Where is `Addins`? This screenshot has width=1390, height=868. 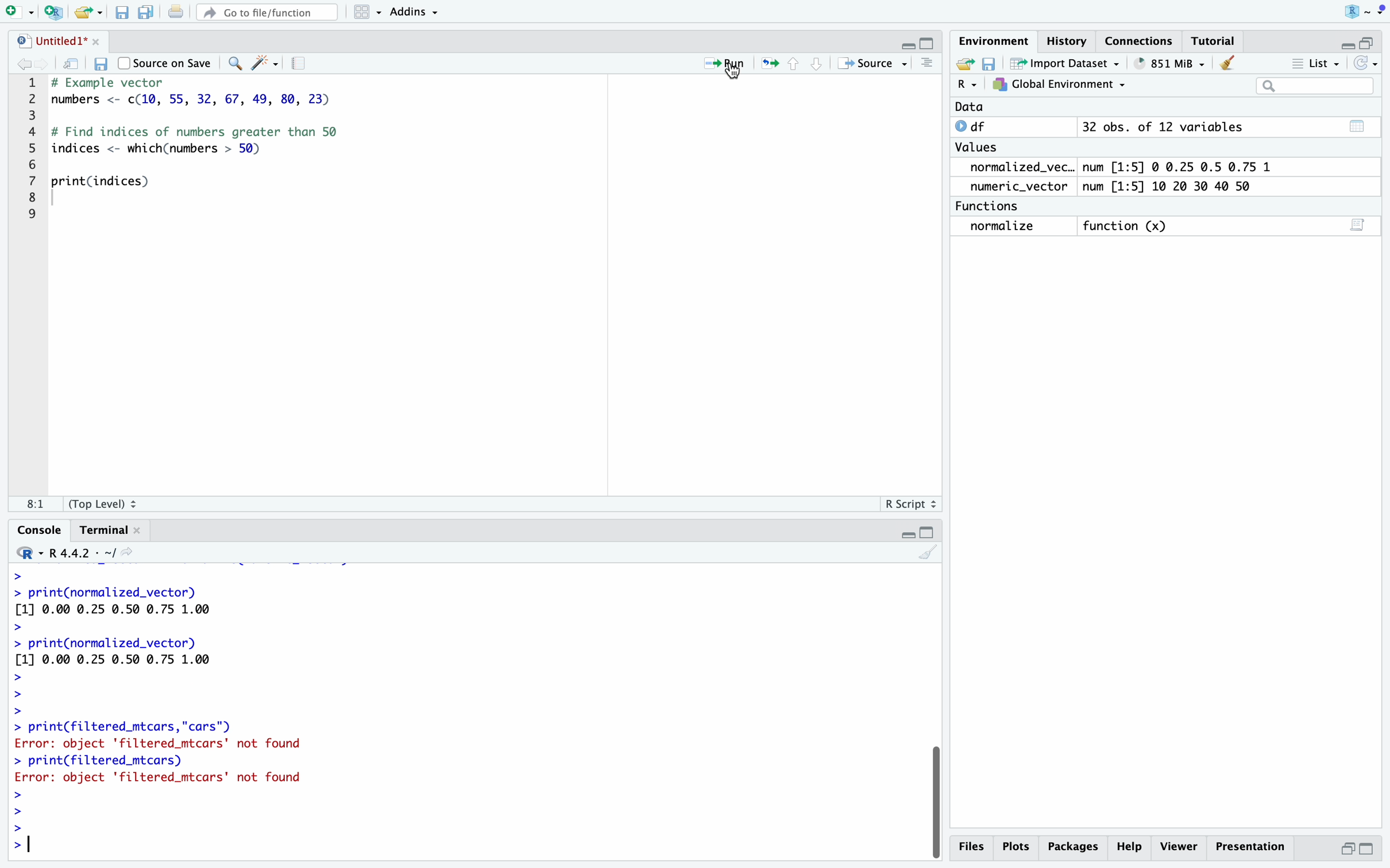 Addins is located at coordinates (411, 12).